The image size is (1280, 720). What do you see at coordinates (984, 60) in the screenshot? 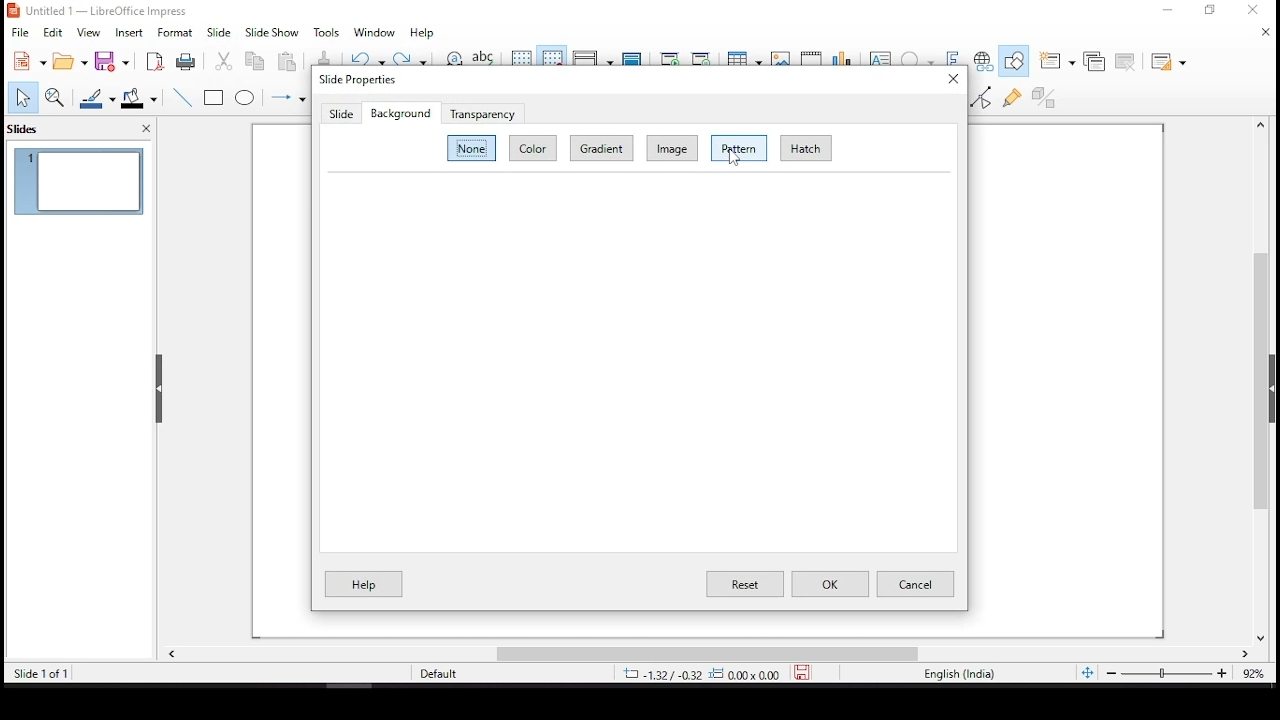
I see `insert hyperlink` at bounding box center [984, 60].